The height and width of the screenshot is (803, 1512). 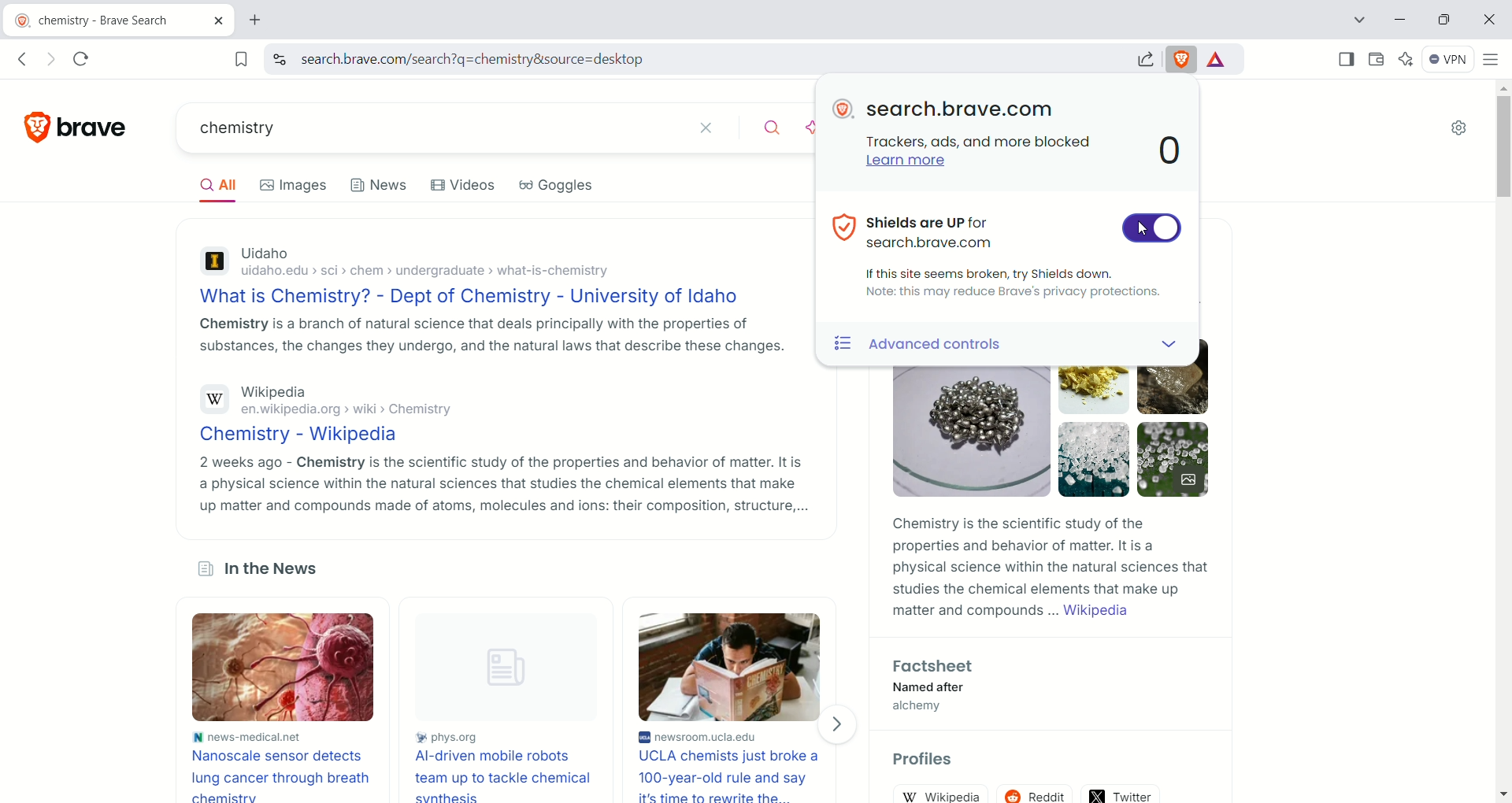 What do you see at coordinates (1013, 284) in the screenshot?
I see `If this site seems broken, try shields down. Note: this may reduce Brave's privacy protections.` at bounding box center [1013, 284].